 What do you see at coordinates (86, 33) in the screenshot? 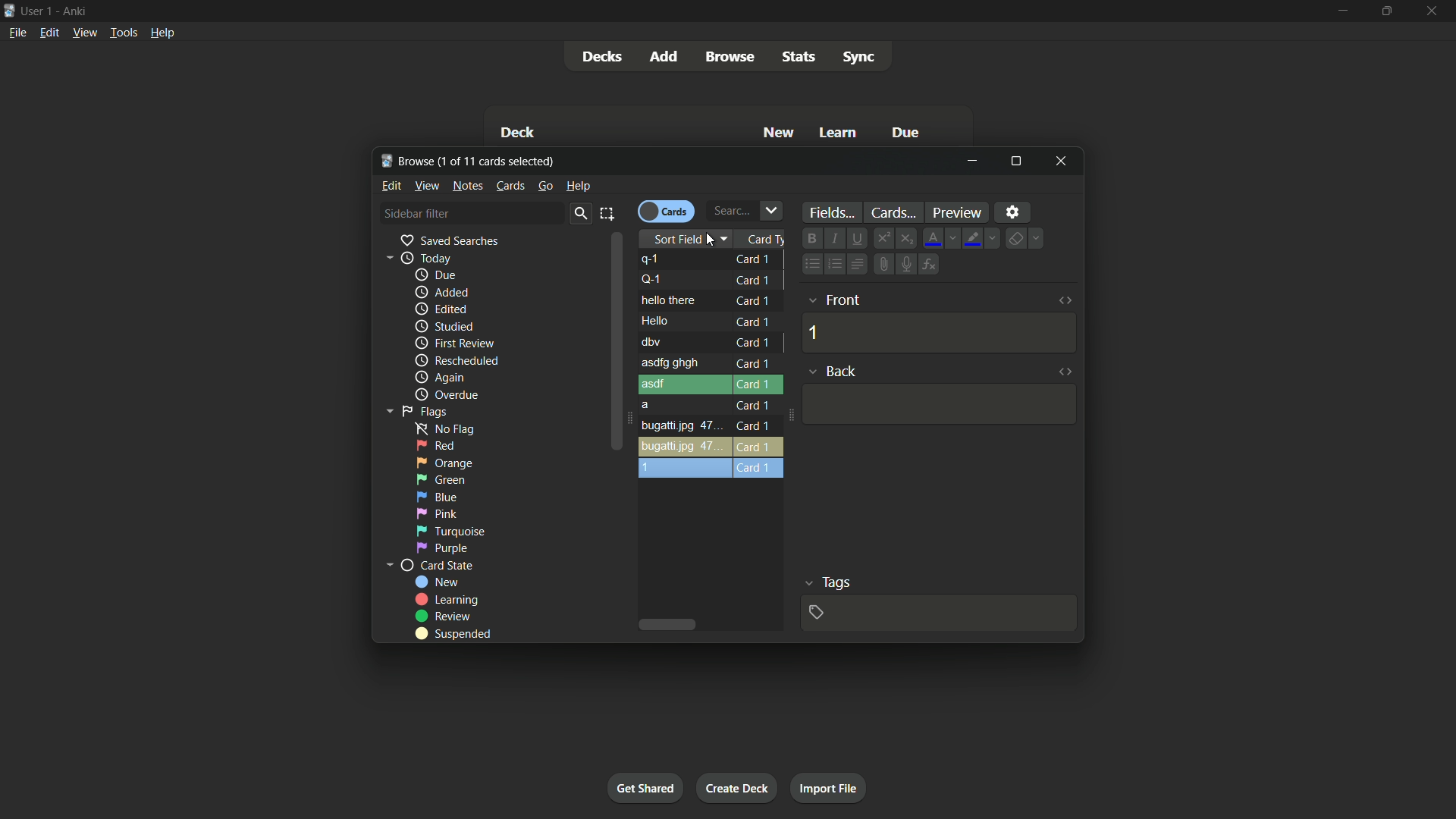
I see `view menu` at bounding box center [86, 33].